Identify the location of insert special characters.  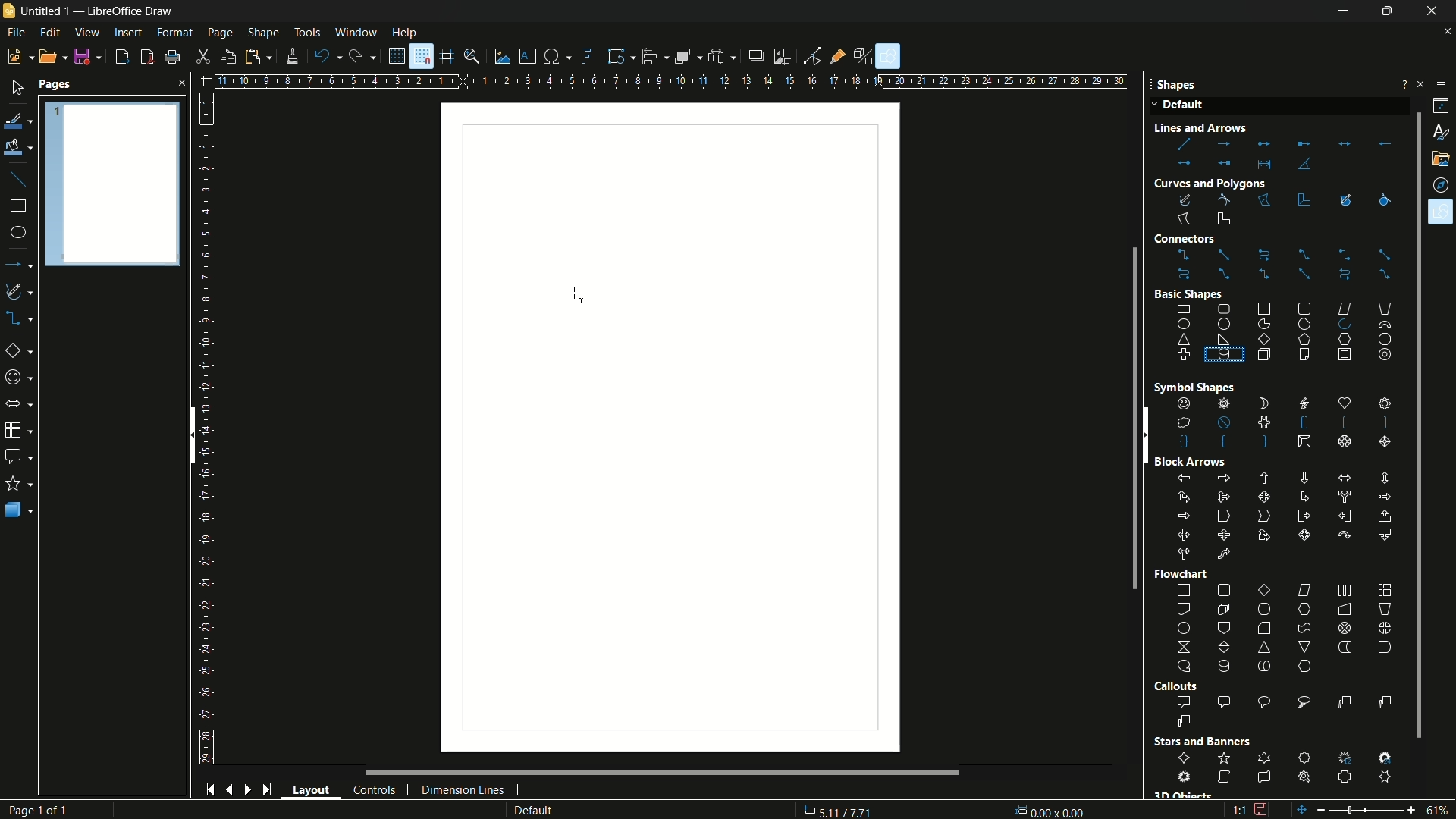
(557, 58).